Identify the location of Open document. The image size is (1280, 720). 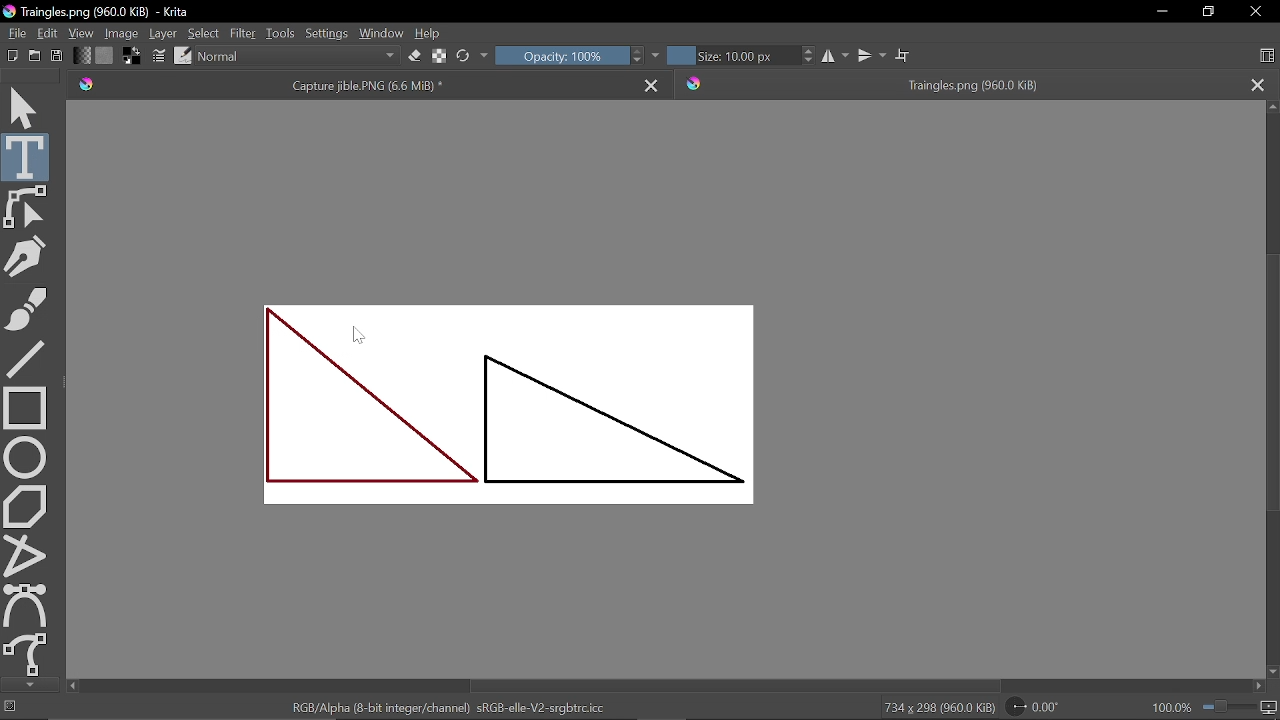
(34, 58).